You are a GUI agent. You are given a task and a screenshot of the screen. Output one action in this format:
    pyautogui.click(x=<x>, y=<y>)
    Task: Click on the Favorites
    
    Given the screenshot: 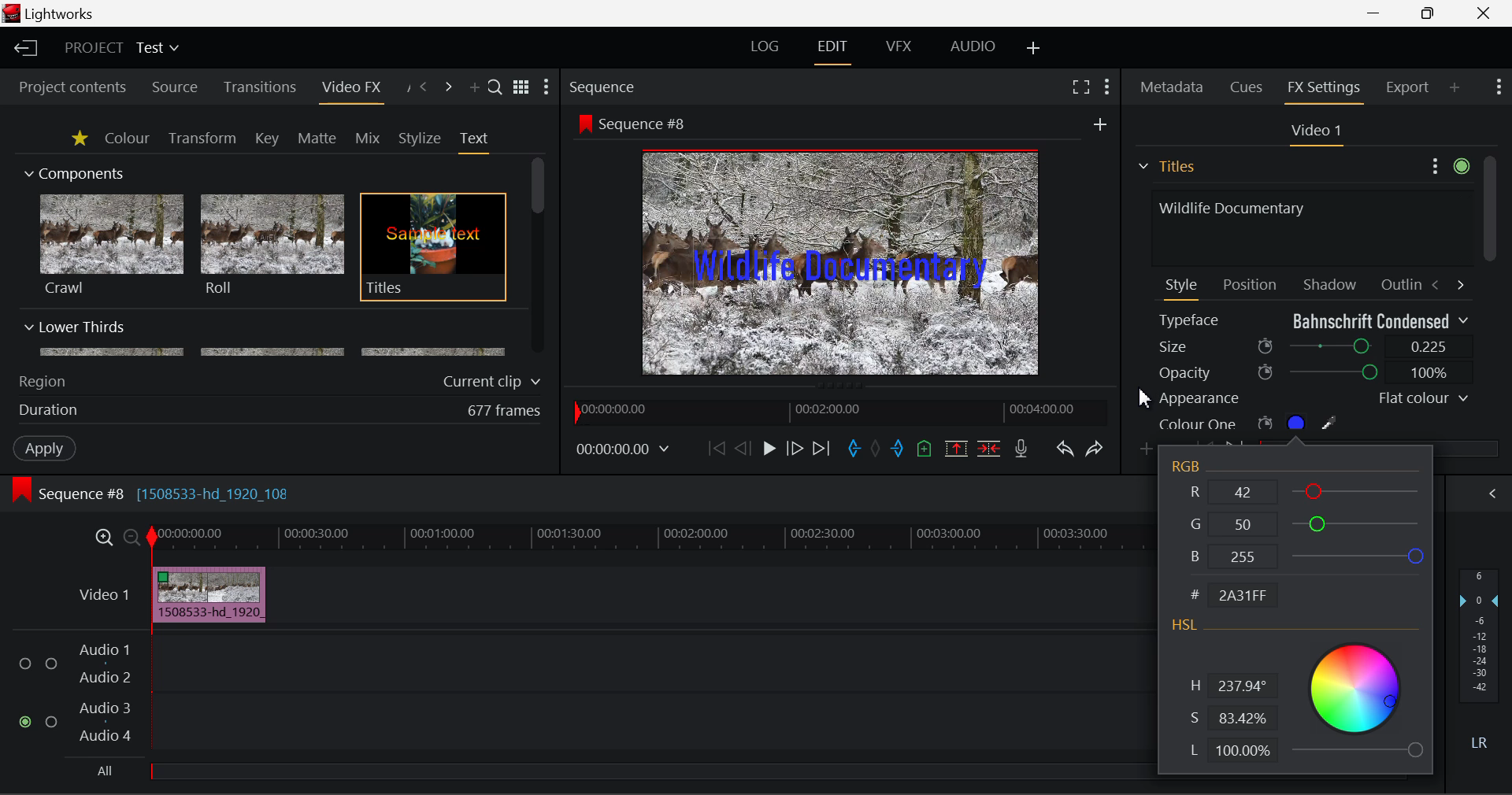 What is the action you would take?
    pyautogui.click(x=81, y=139)
    